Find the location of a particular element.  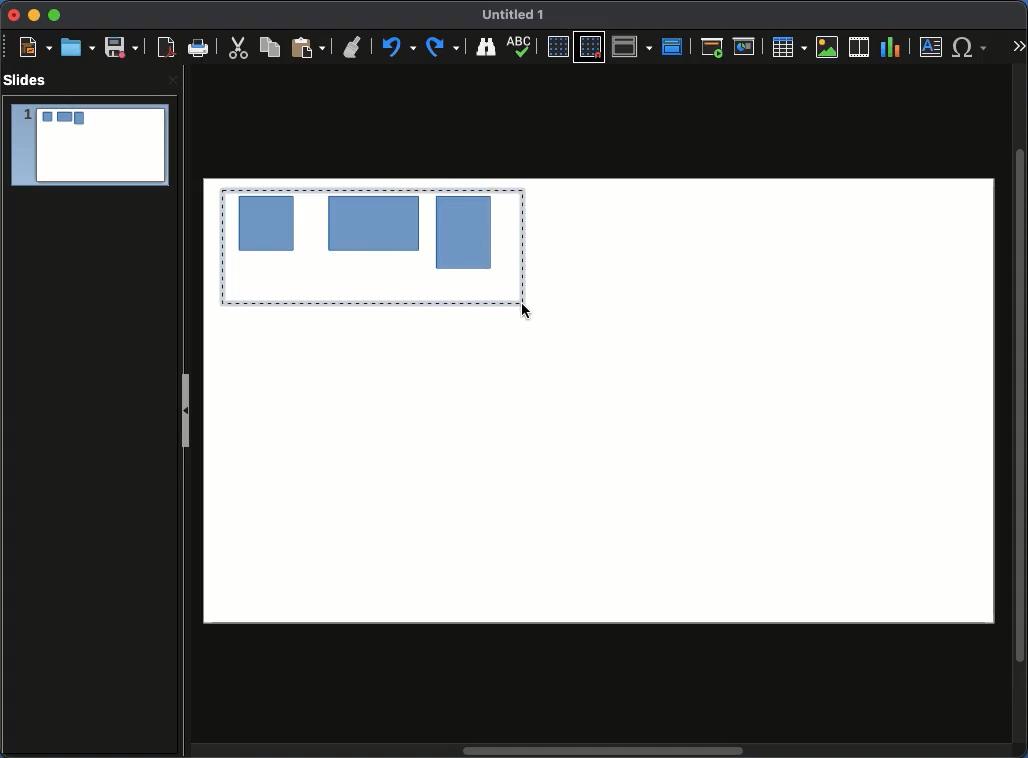

Start from current slide is located at coordinates (745, 45).